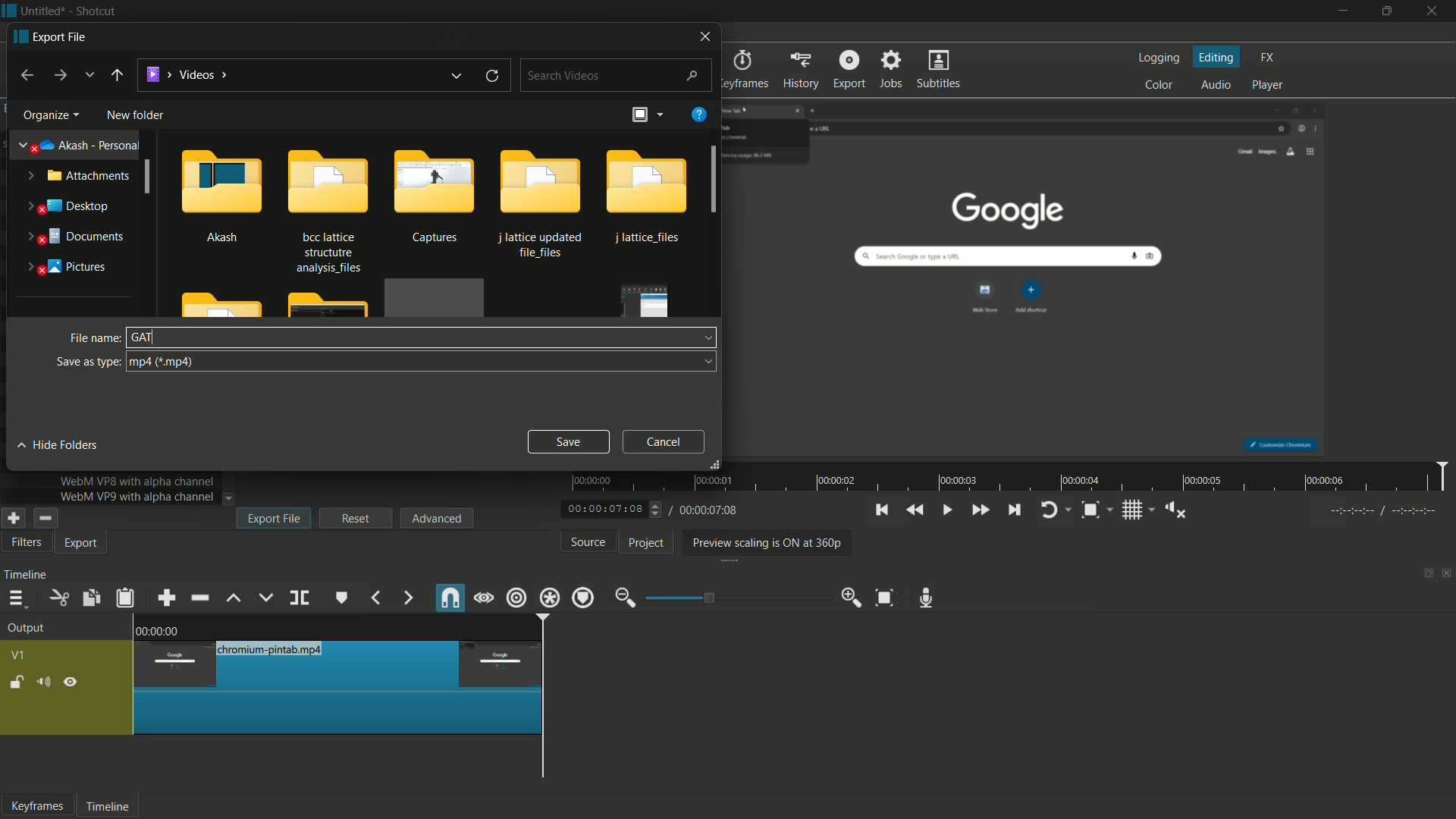 The width and height of the screenshot is (1456, 819). What do you see at coordinates (26, 575) in the screenshot?
I see `timeline` at bounding box center [26, 575].